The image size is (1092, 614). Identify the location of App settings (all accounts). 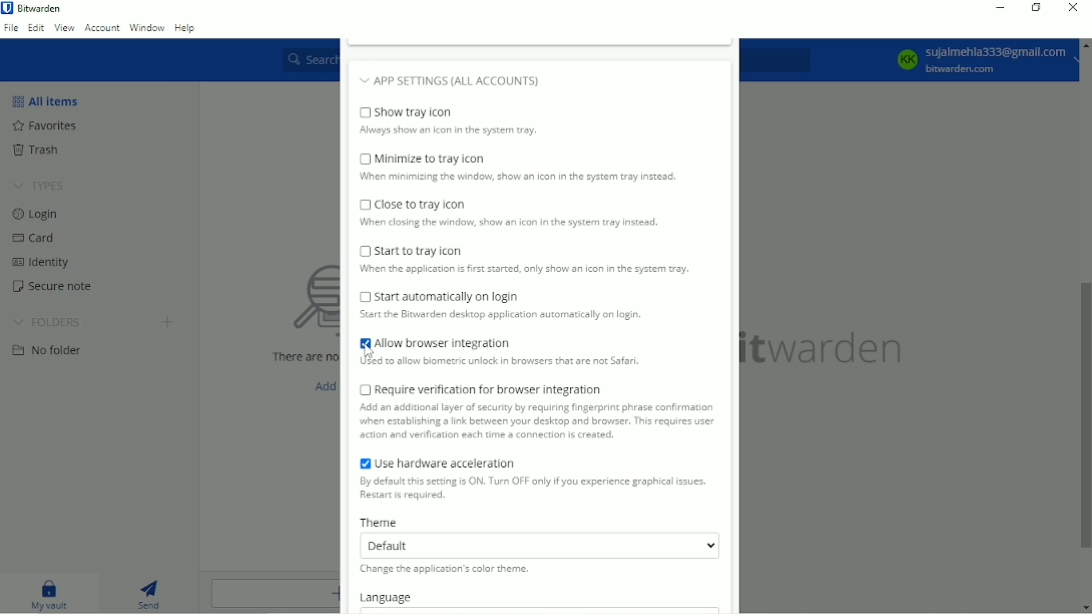
(489, 78).